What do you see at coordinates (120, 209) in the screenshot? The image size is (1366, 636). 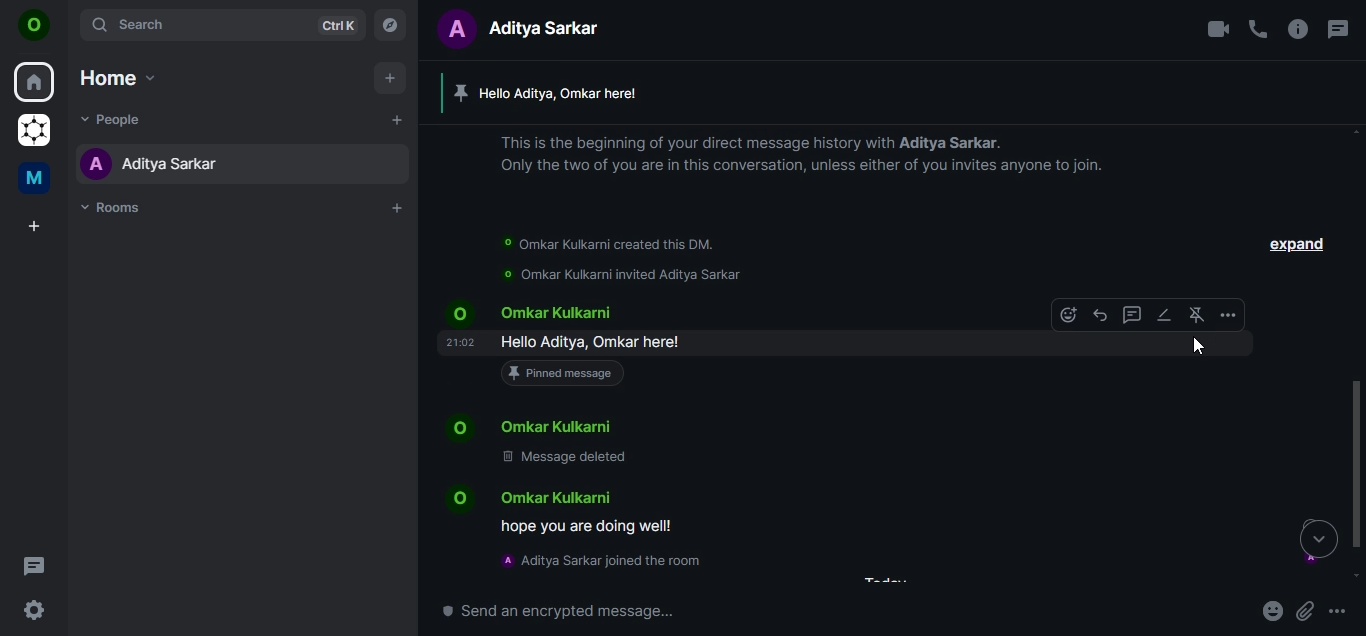 I see `rooms` at bounding box center [120, 209].